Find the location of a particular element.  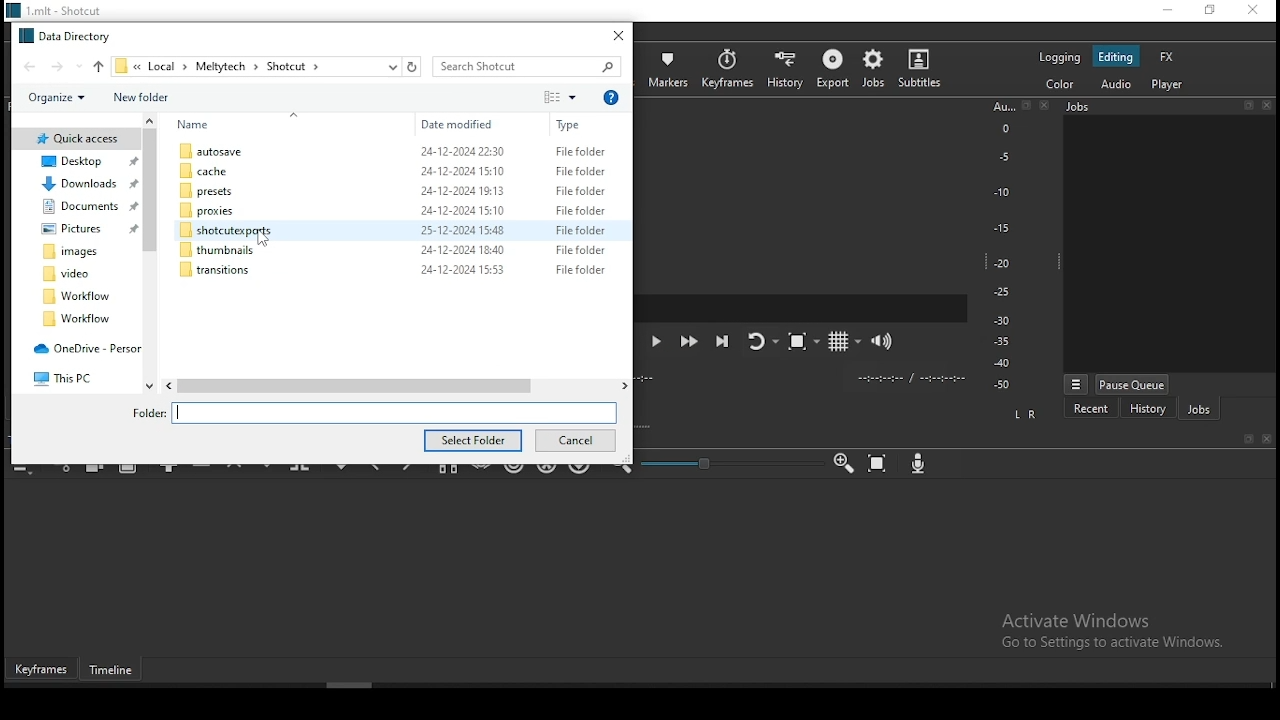

close is located at coordinates (1269, 104).